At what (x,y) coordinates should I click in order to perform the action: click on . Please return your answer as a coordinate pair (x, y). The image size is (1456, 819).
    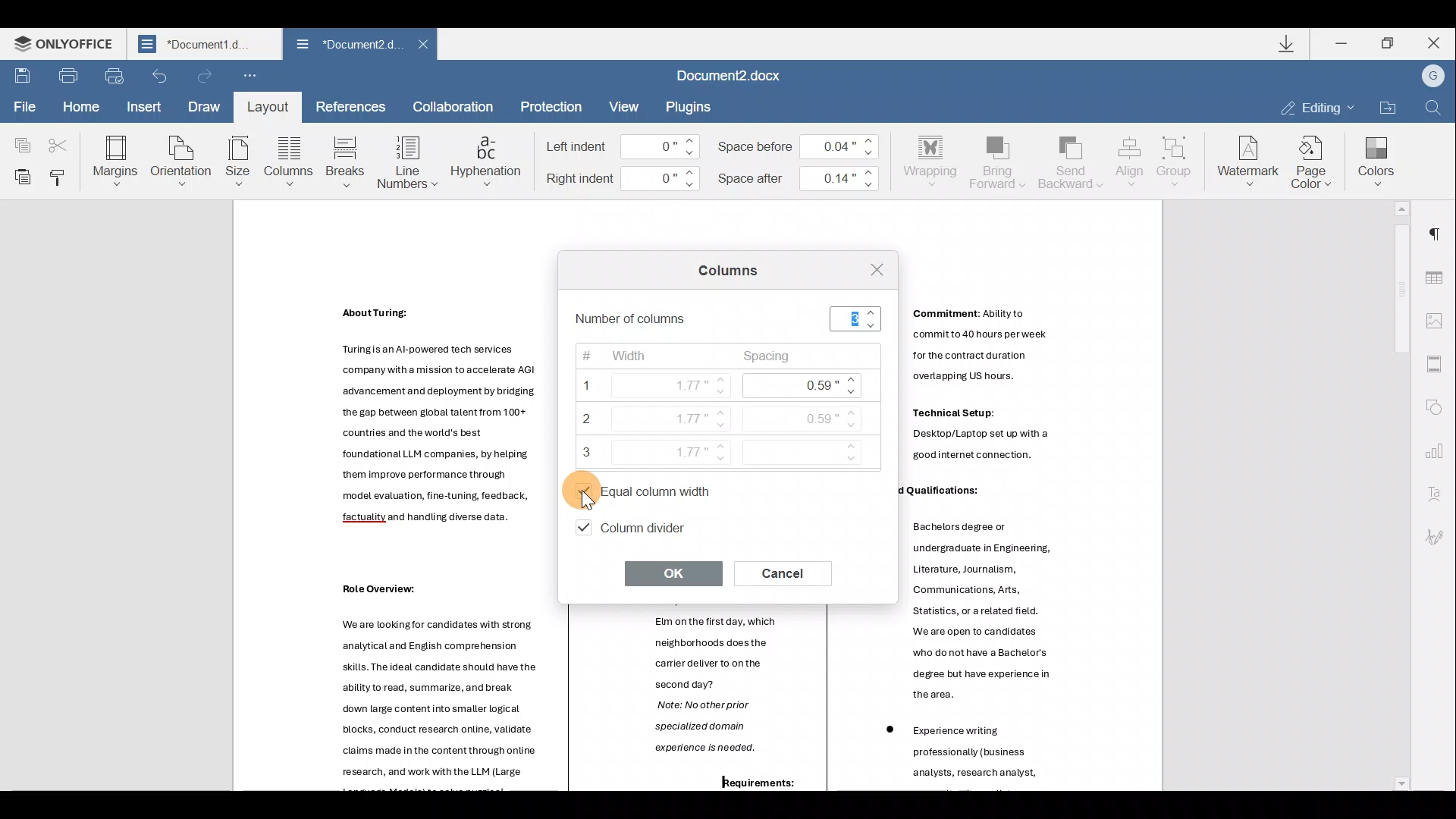
    Looking at the image, I should click on (447, 698).